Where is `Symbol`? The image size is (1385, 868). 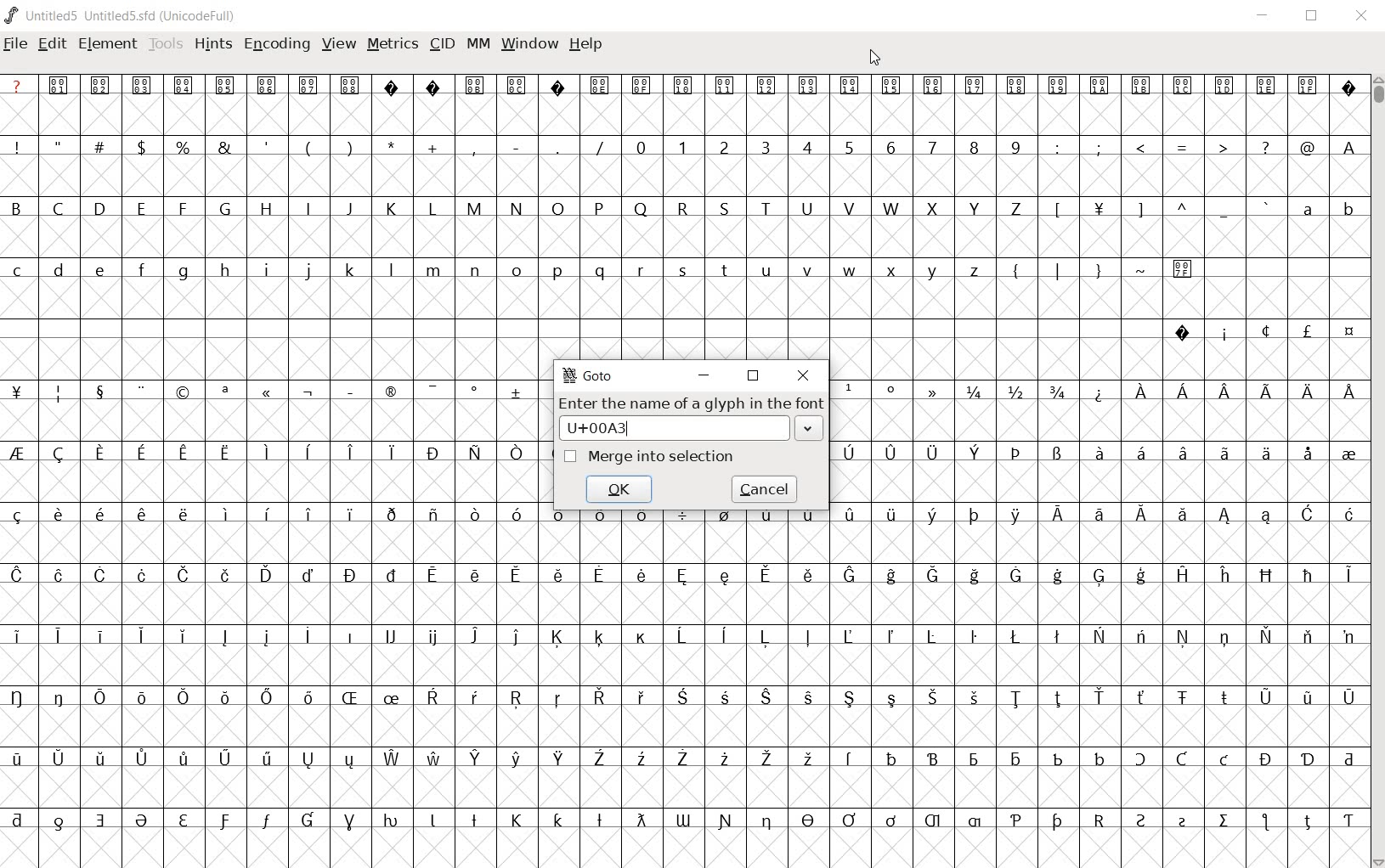
Symbol is located at coordinates (224, 573).